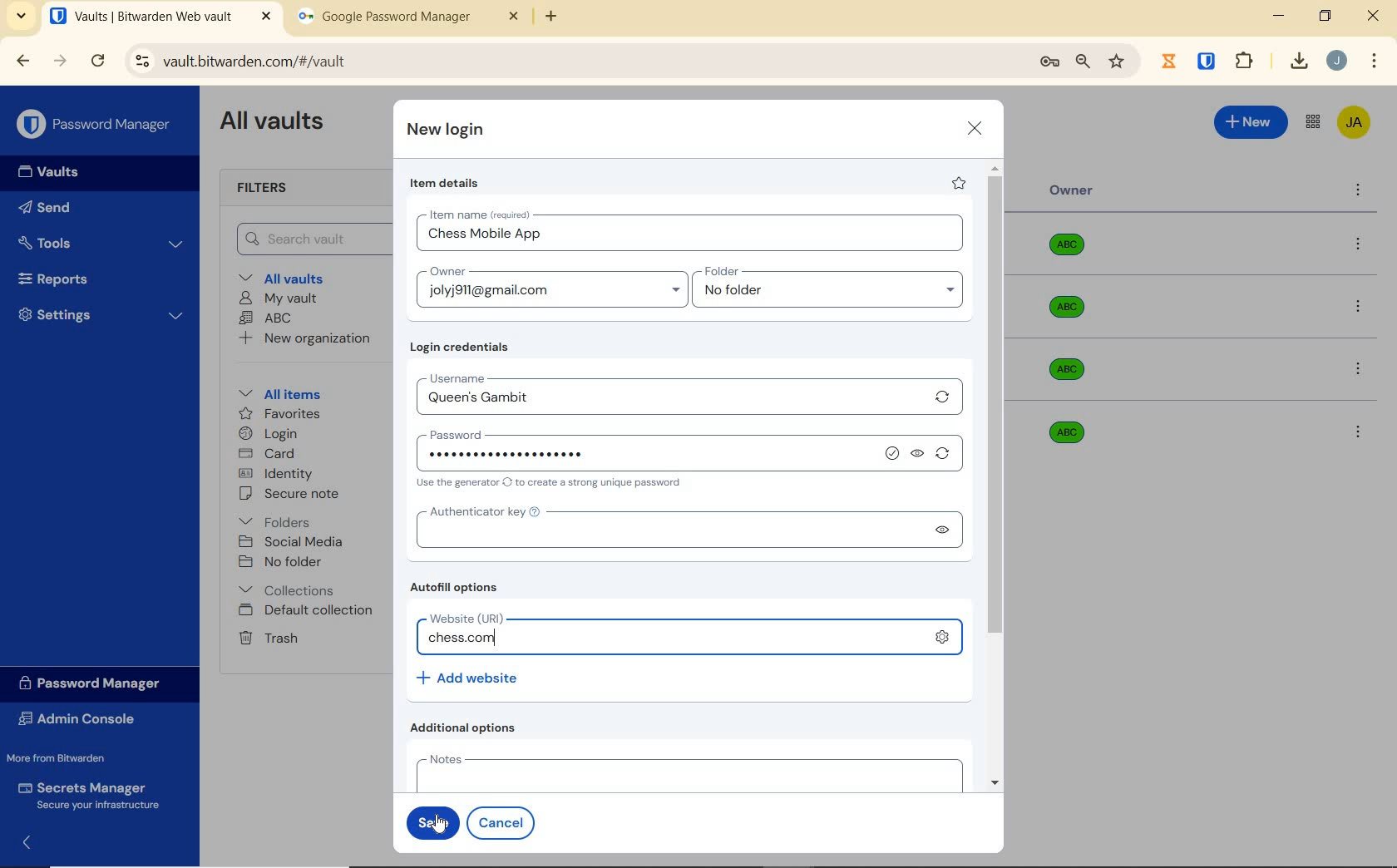  I want to click on close, so click(1375, 16).